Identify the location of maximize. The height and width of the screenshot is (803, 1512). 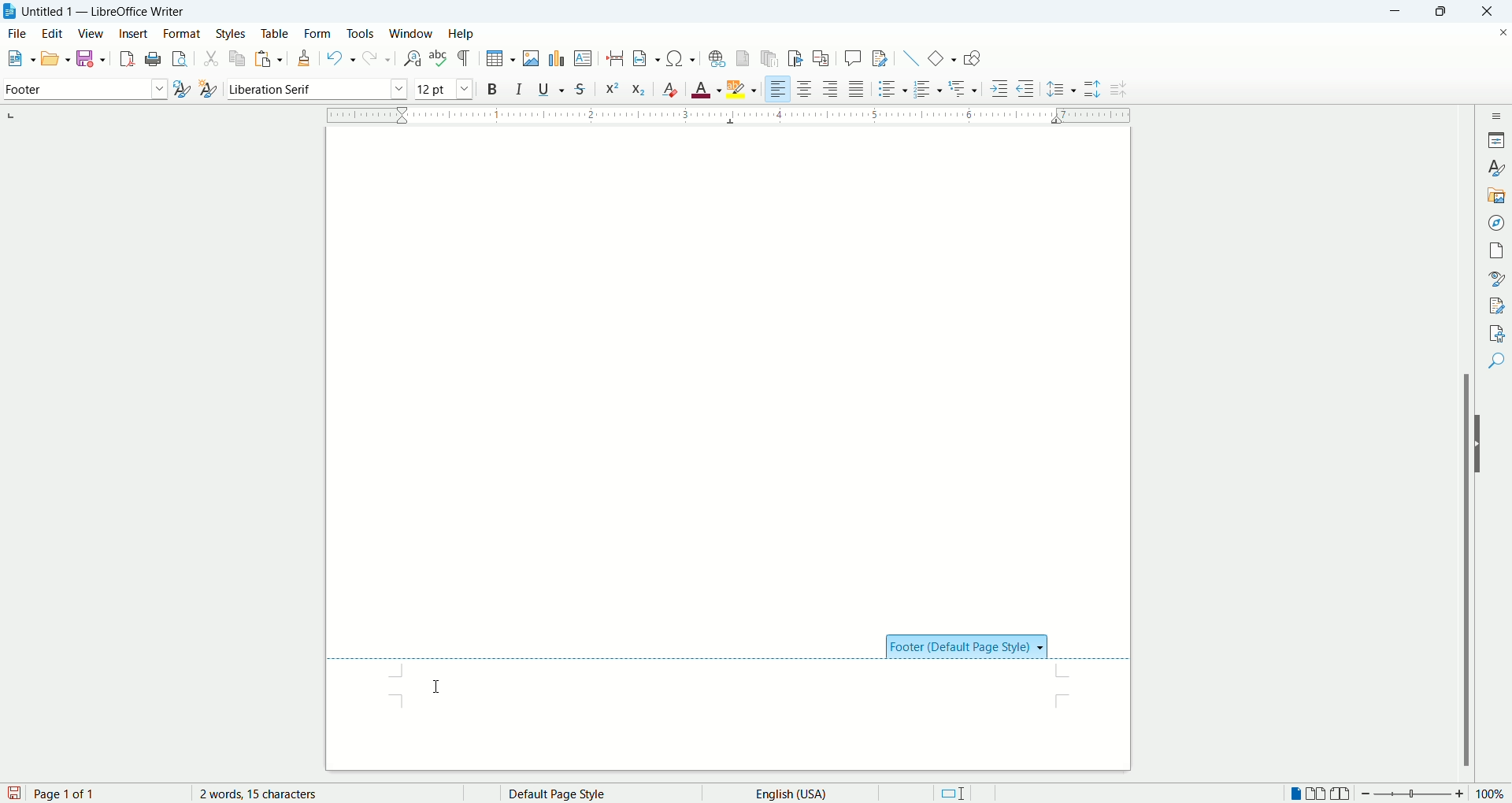
(1447, 13).